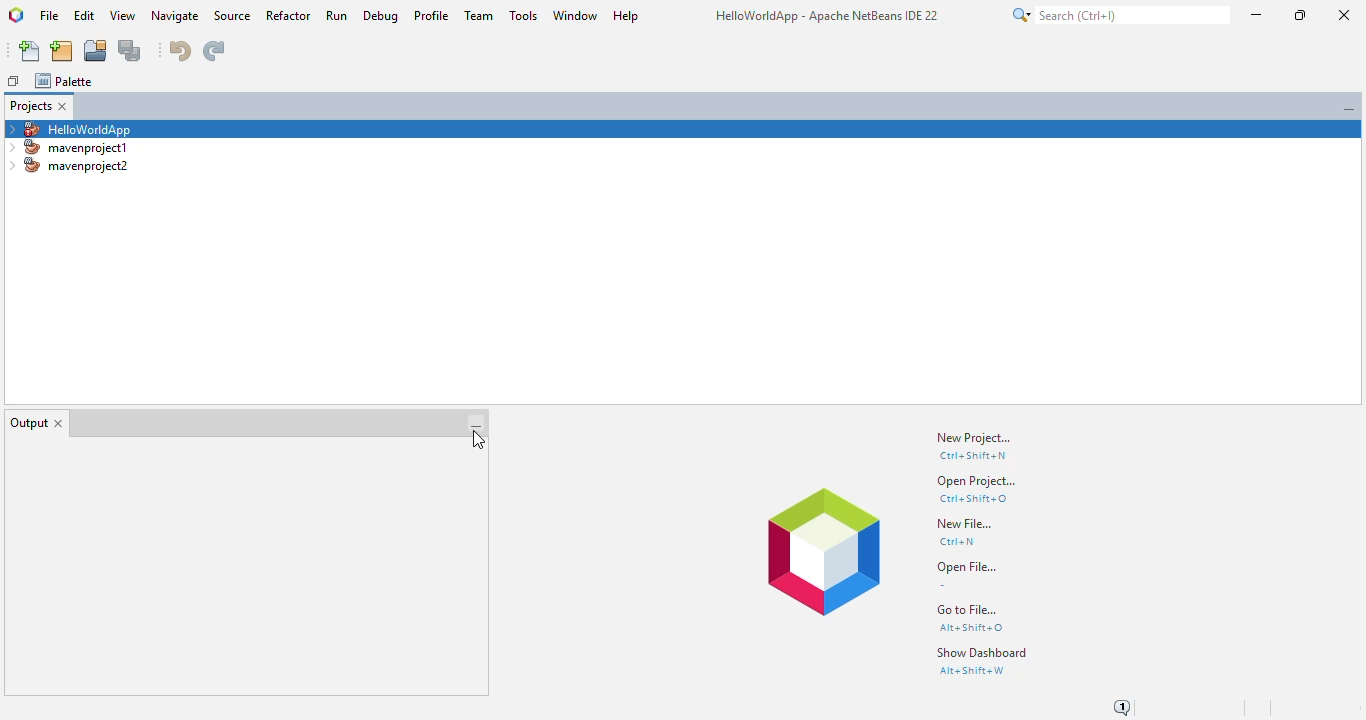  Describe the element at coordinates (972, 628) in the screenshot. I see `shortcut for go to file` at that location.